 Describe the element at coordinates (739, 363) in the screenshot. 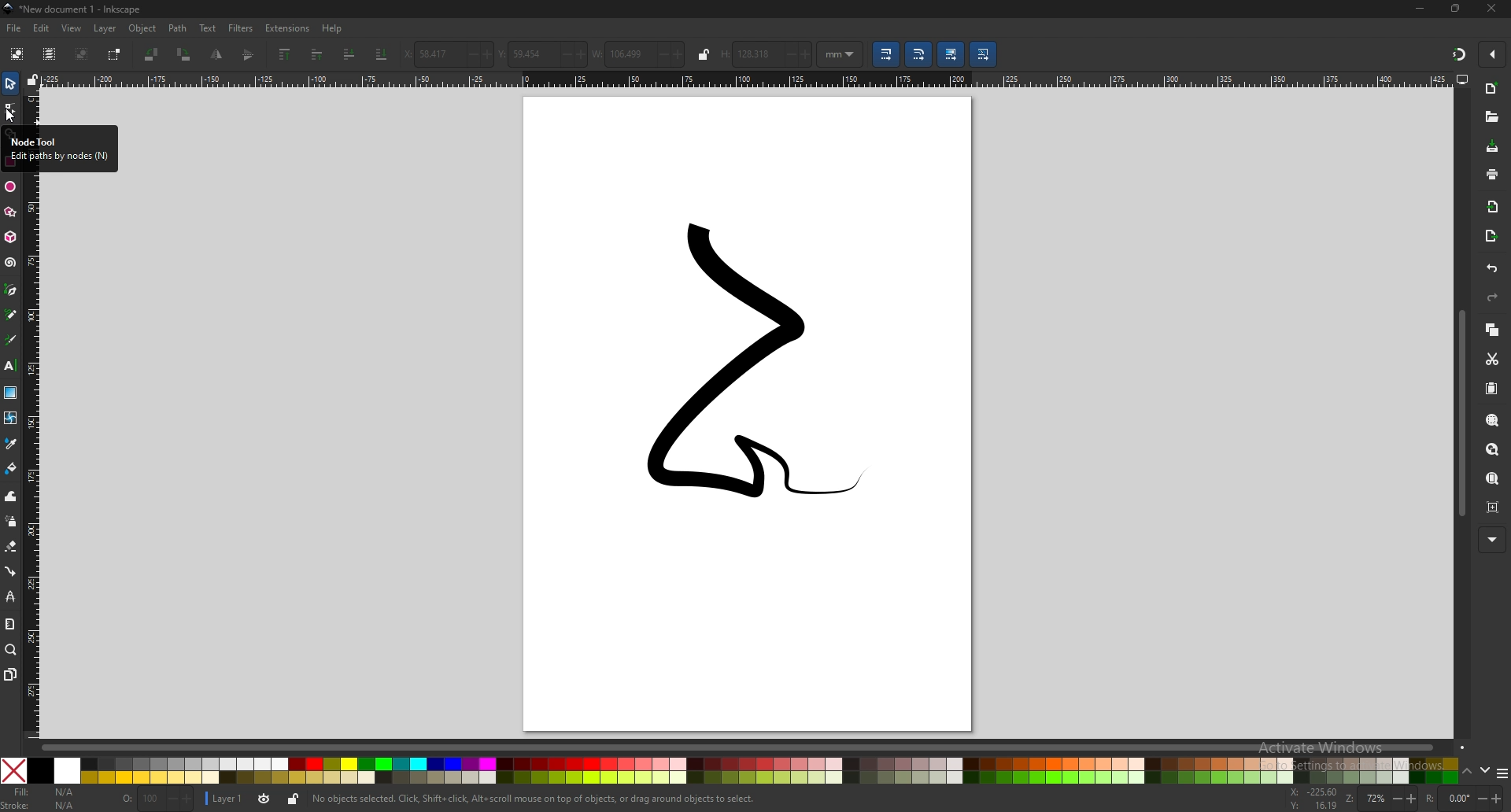

I see `drawing` at that location.